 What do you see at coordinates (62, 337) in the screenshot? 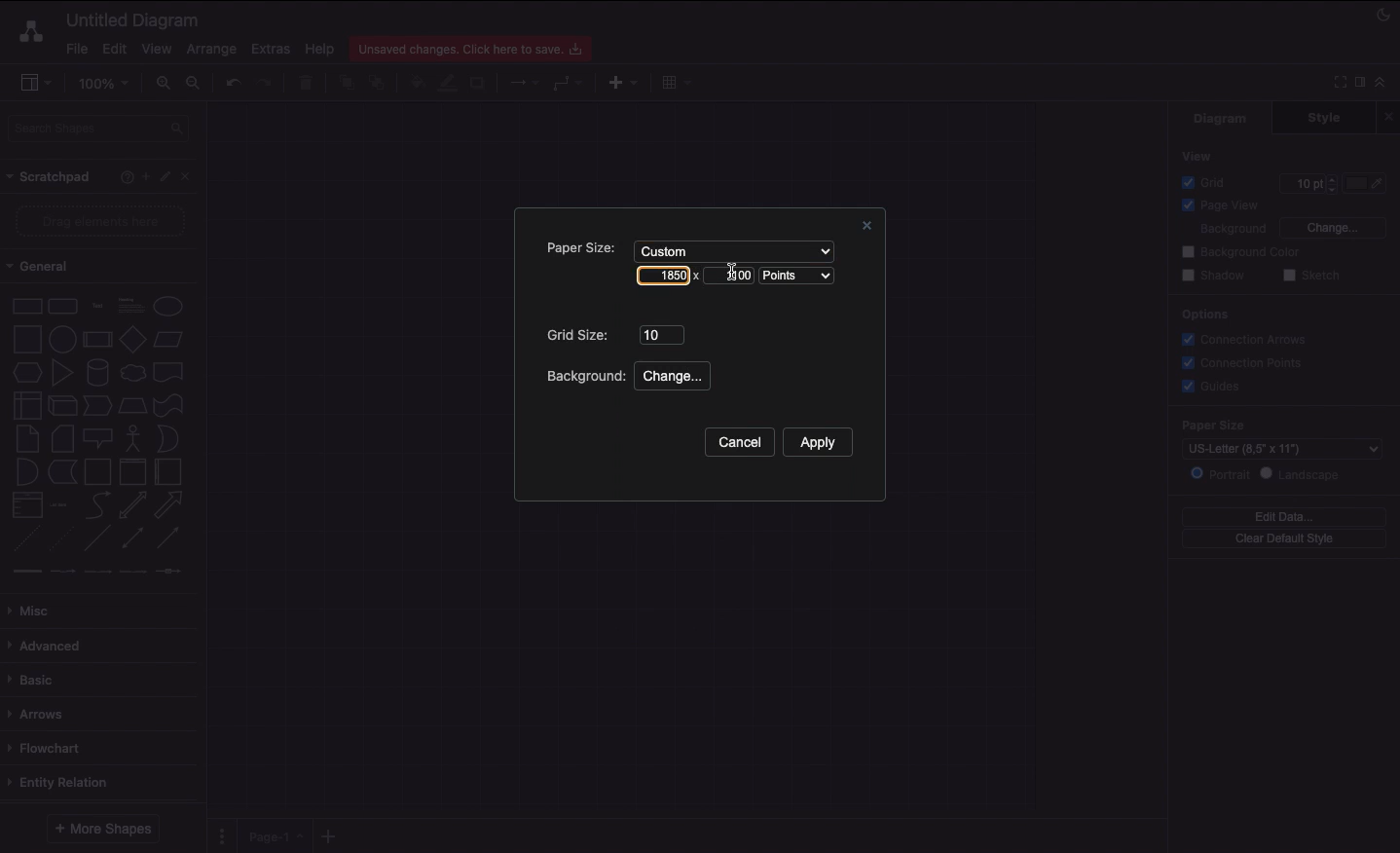
I see `Circle` at bounding box center [62, 337].